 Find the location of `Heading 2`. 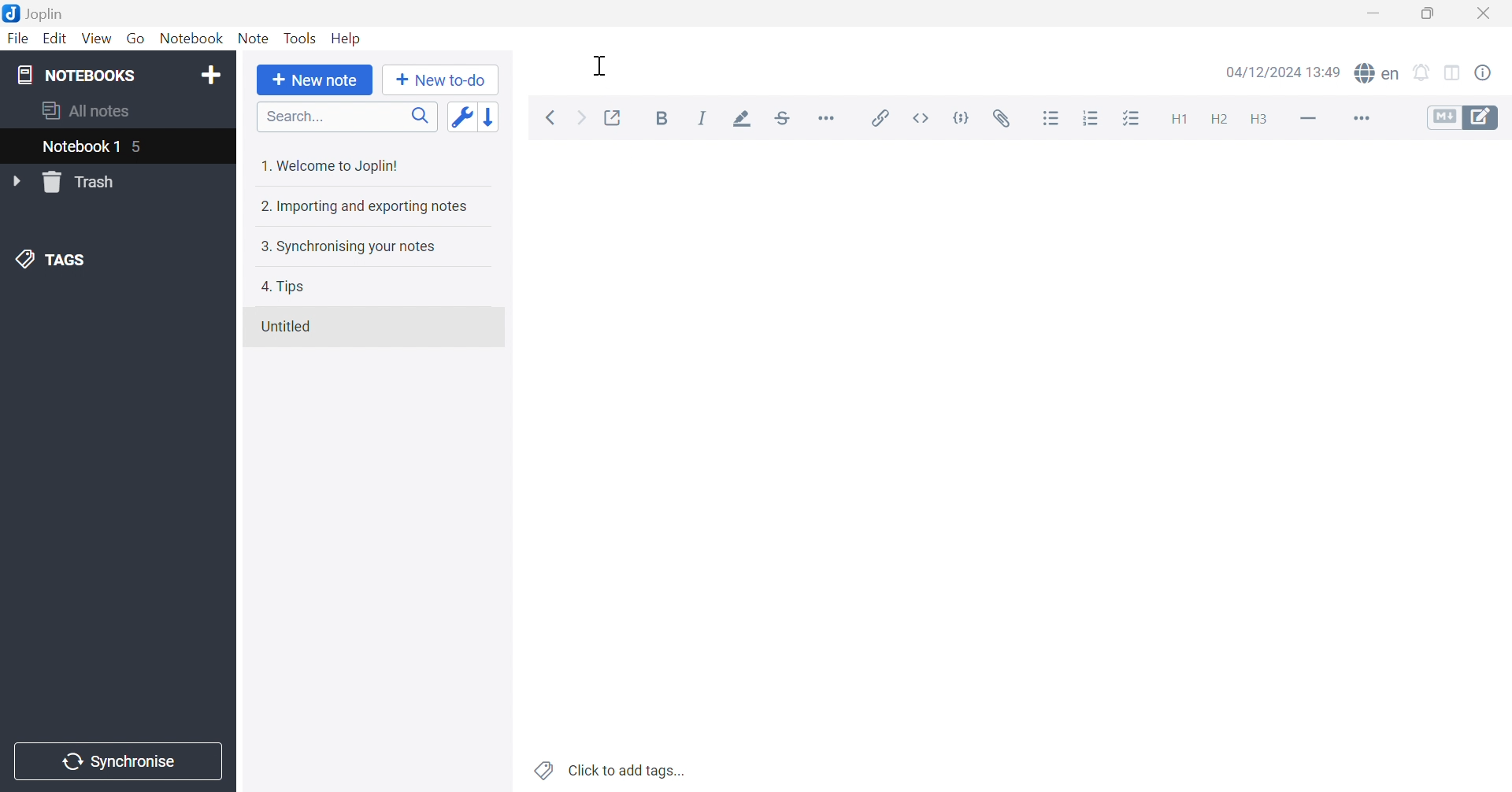

Heading 2 is located at coordinates (1218, 117).